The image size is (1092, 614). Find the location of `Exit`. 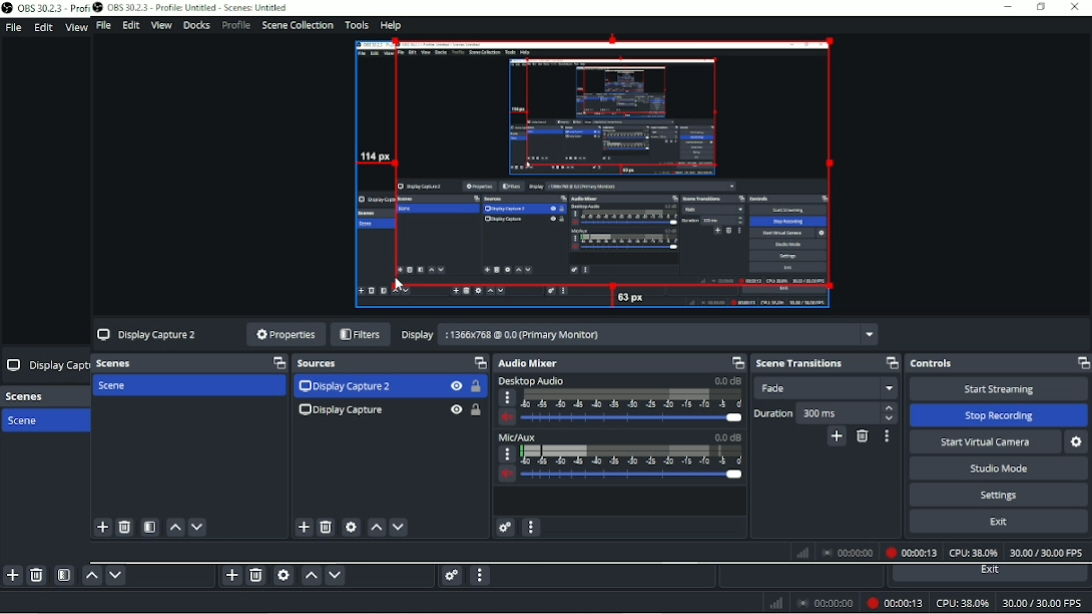

Exit is located at coordinates (1006, 524).